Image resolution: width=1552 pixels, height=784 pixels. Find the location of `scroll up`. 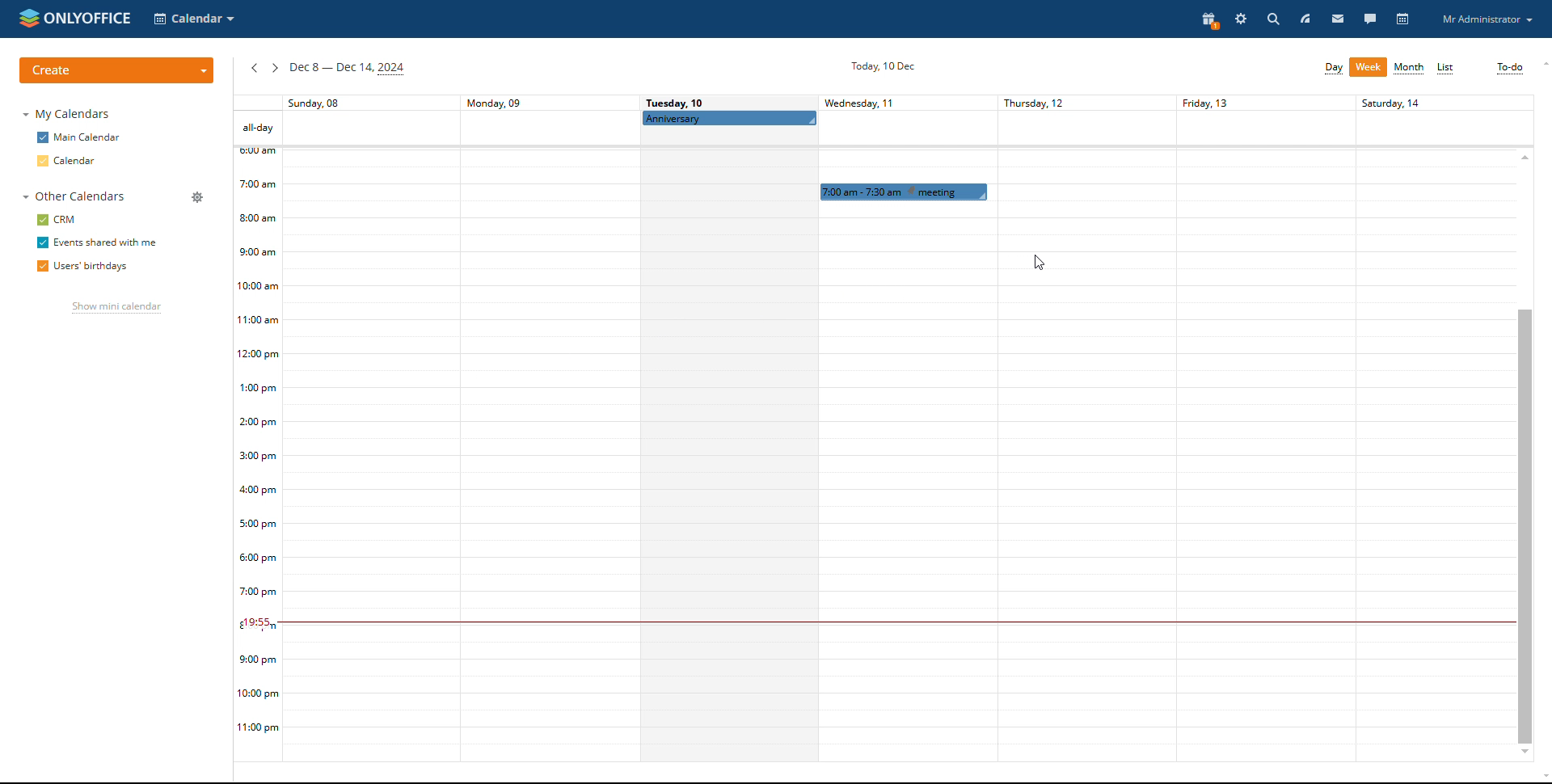

scroll up is located at coordinates (1525, 156).